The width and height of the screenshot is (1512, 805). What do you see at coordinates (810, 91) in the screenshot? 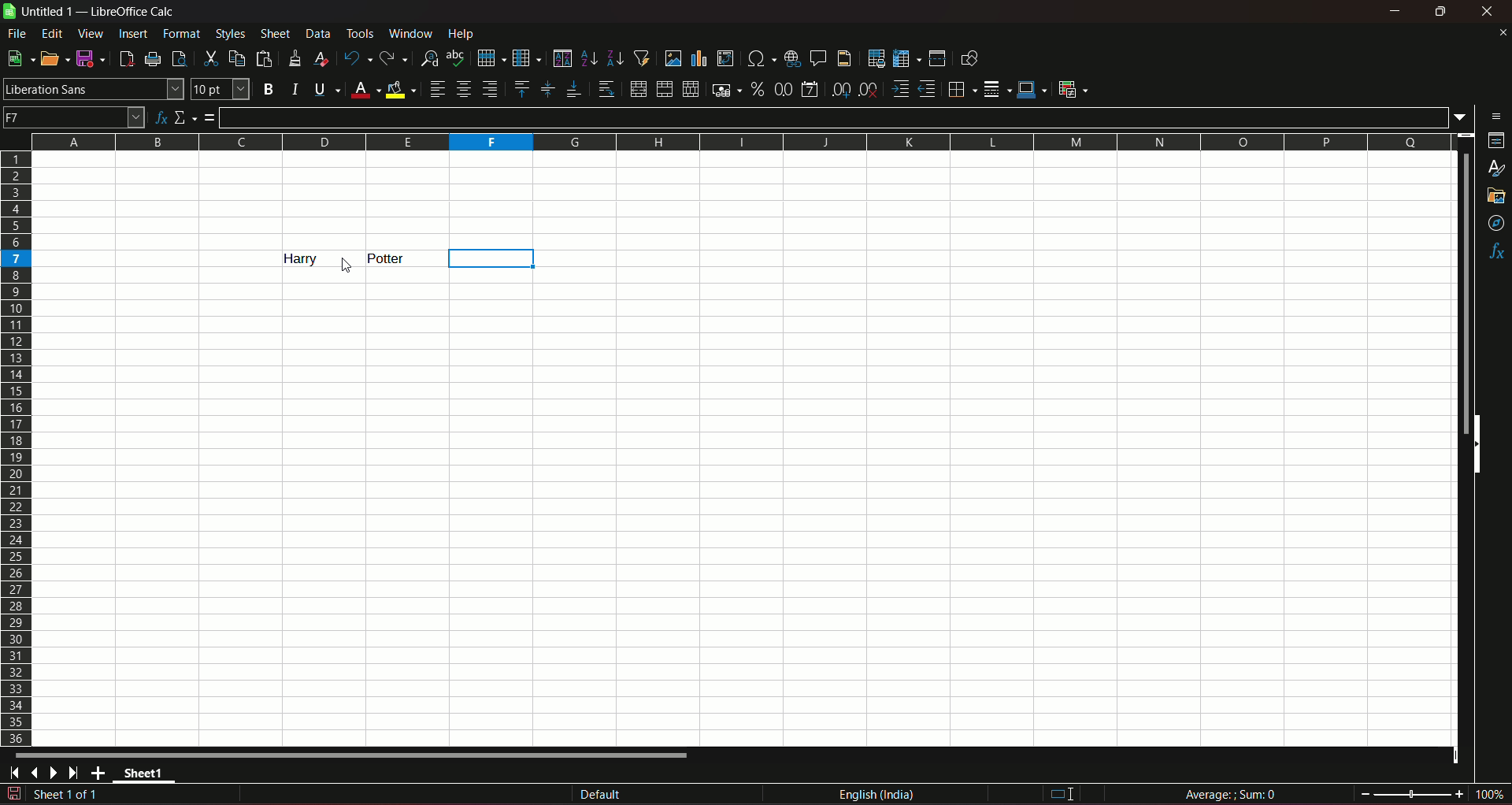
I see `format as date` at bounding box center [810, 91].